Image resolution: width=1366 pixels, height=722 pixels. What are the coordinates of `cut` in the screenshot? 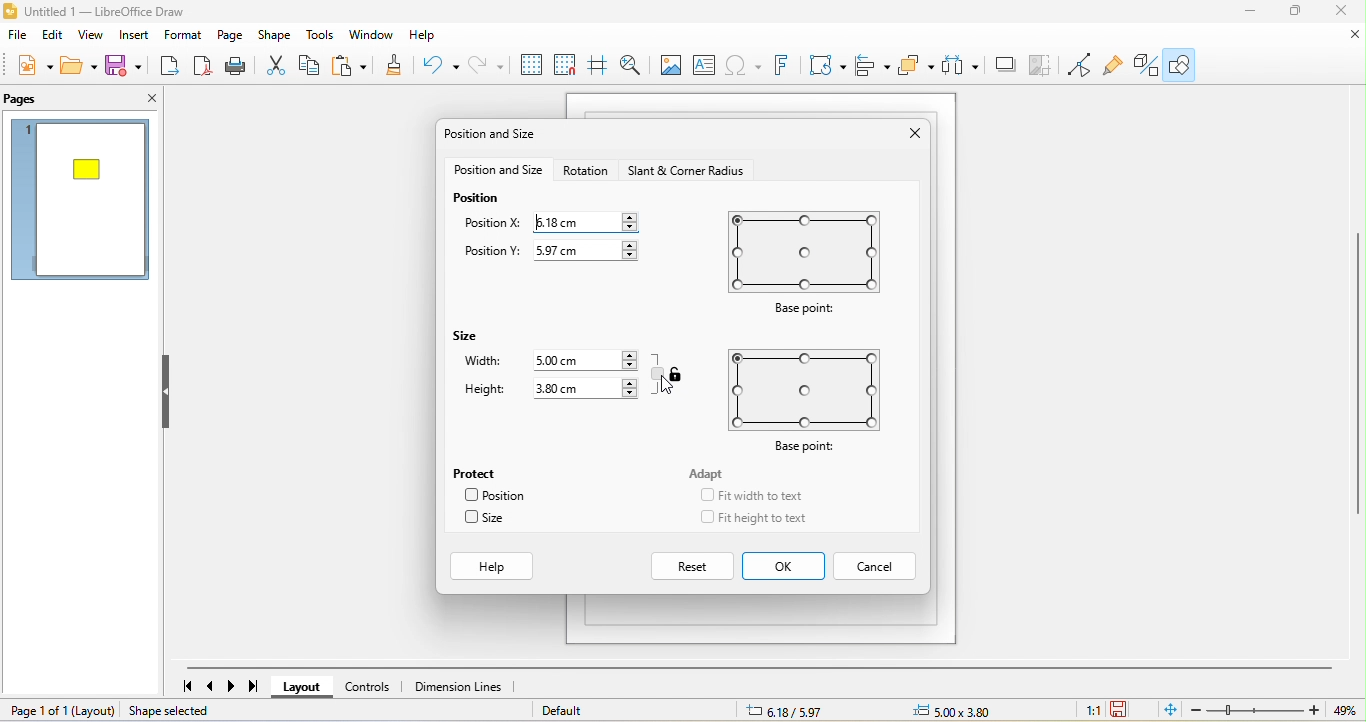 It's located at (275, 65).